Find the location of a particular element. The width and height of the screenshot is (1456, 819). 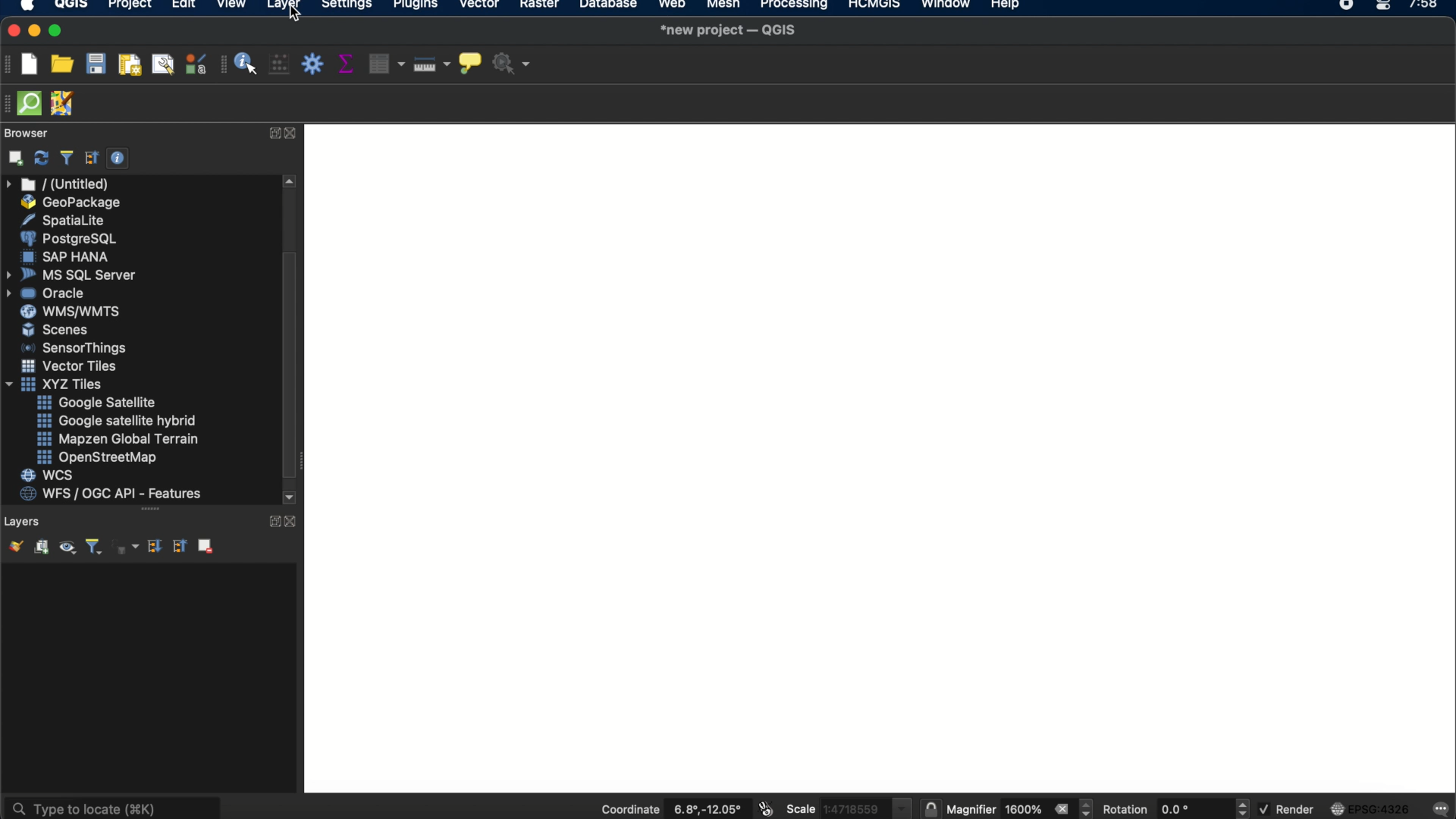

7:58 is located at coordinates (1429, 8).